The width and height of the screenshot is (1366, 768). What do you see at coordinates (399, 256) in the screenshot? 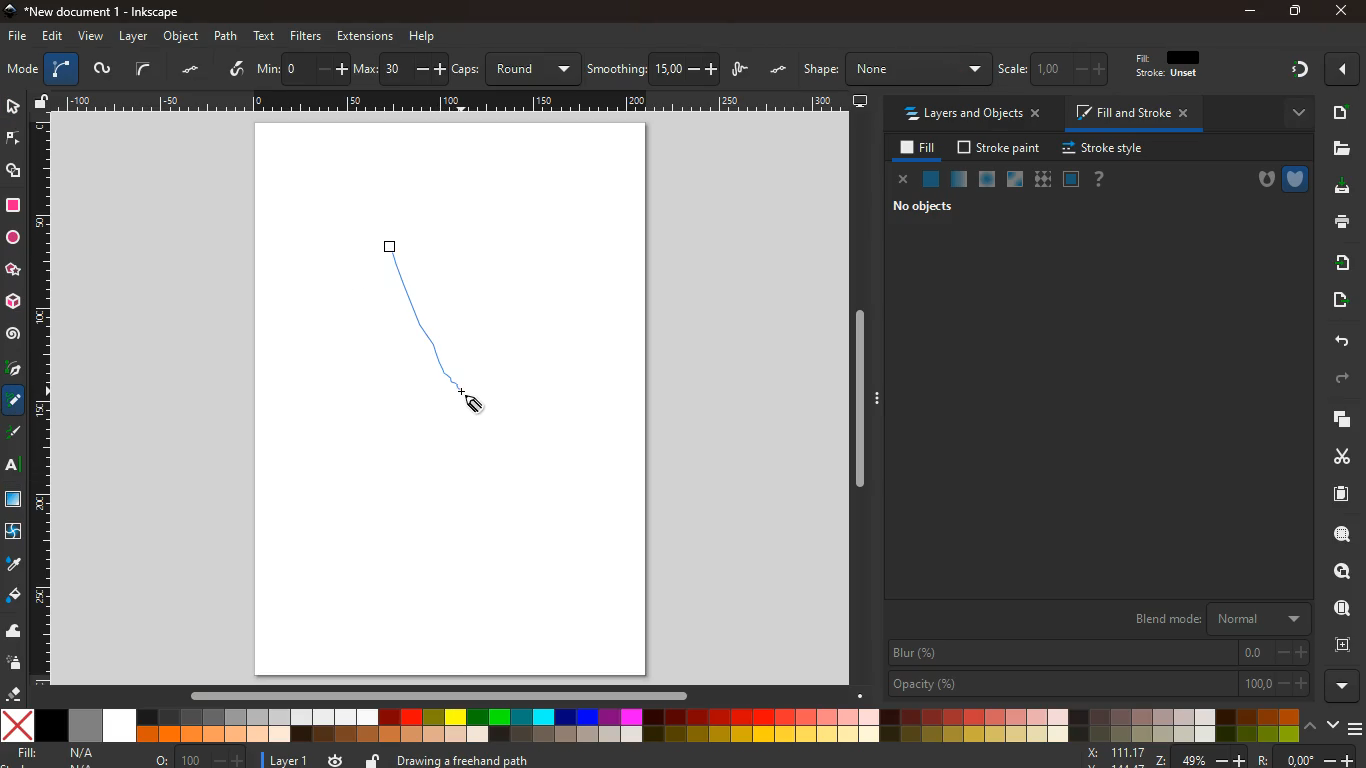
I see `draw` at bounding box center [399, 256].